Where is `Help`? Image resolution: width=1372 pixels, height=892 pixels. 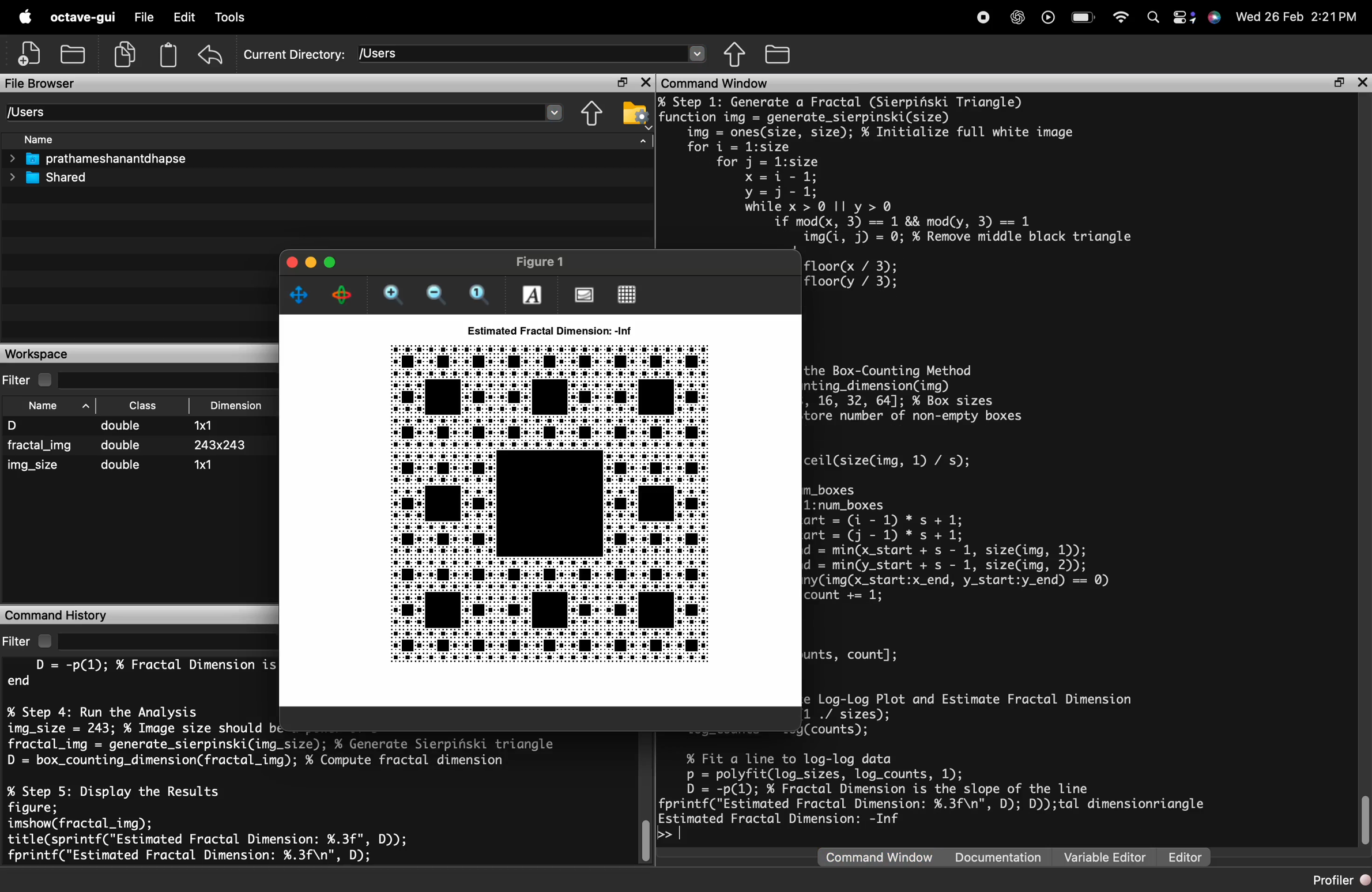
Help is located at coordinates (397, 14).